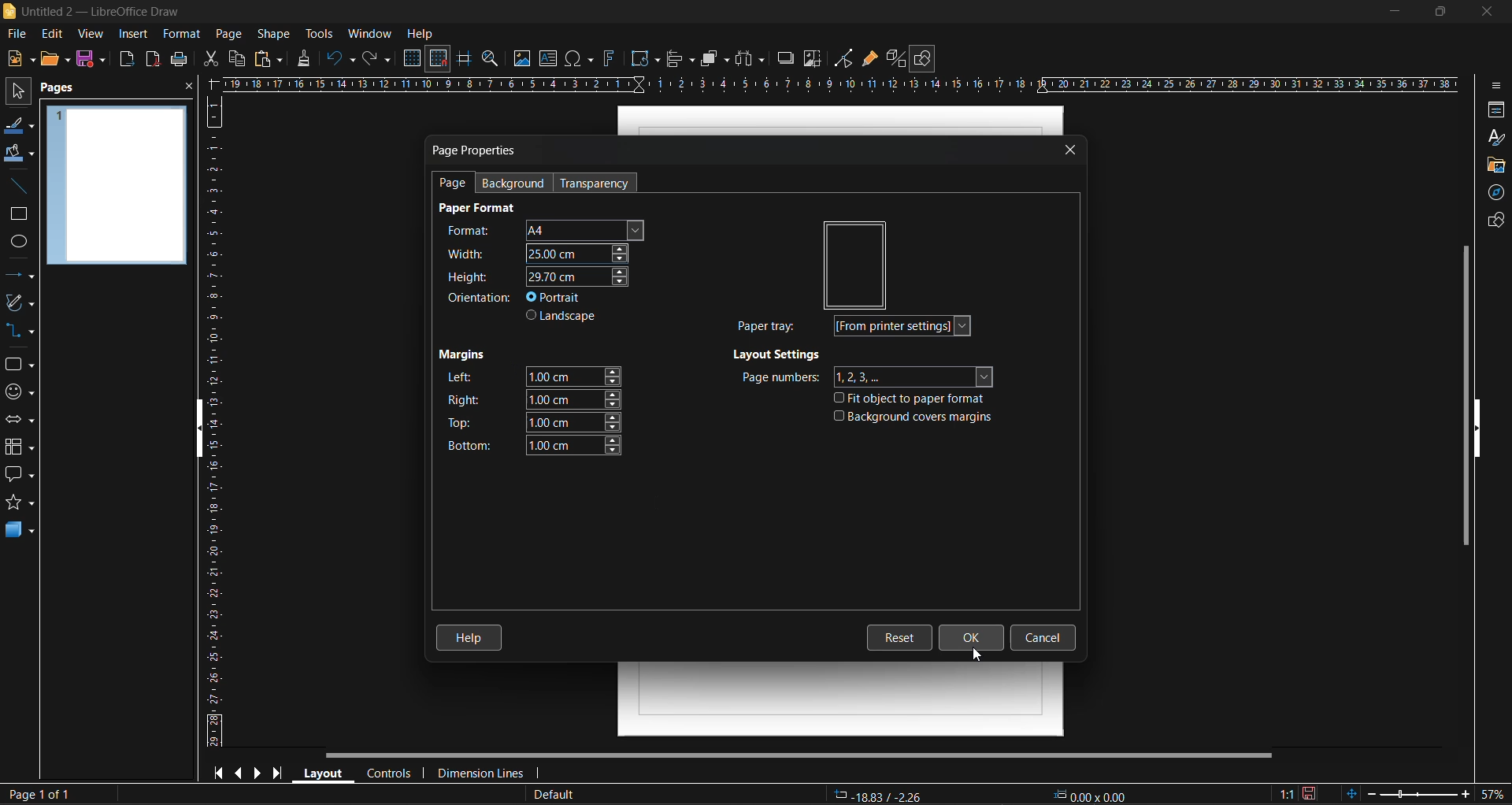  I want to click on click to save, so click(1309, 793).